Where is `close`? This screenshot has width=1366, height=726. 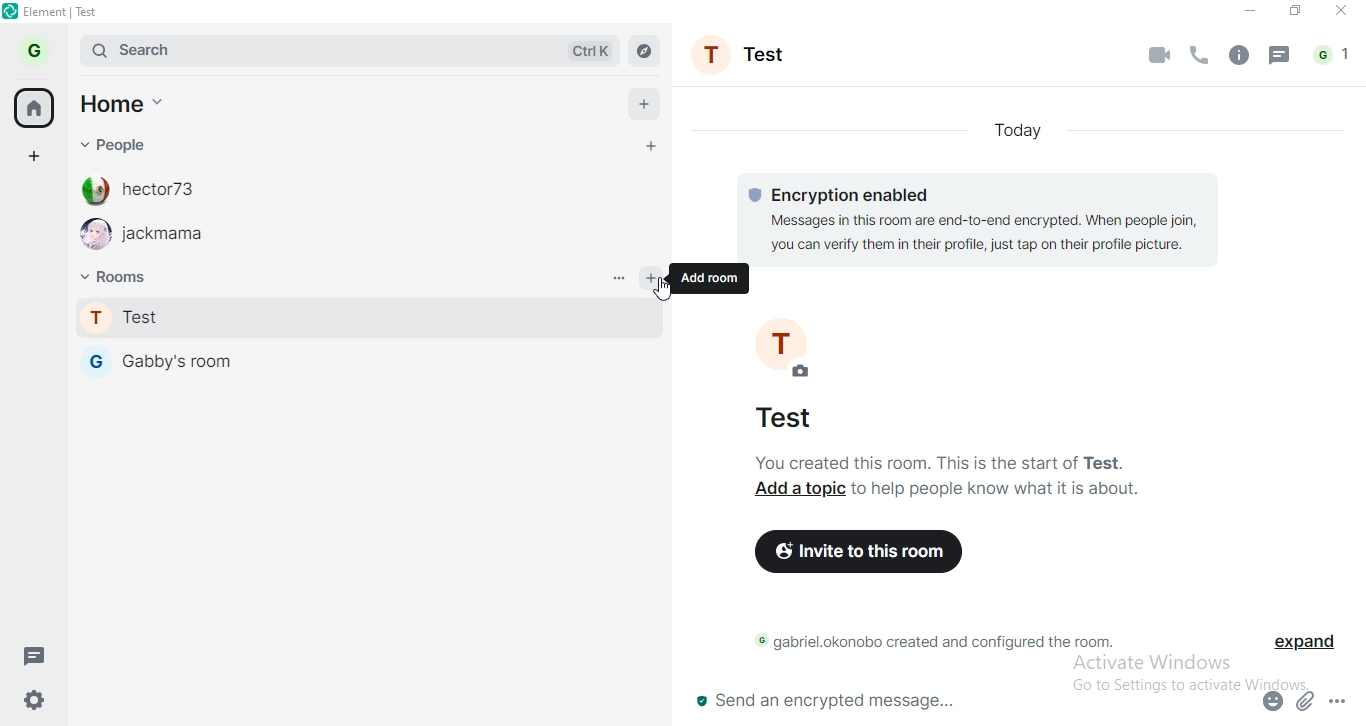 close is located at coordinates (1344, 14).